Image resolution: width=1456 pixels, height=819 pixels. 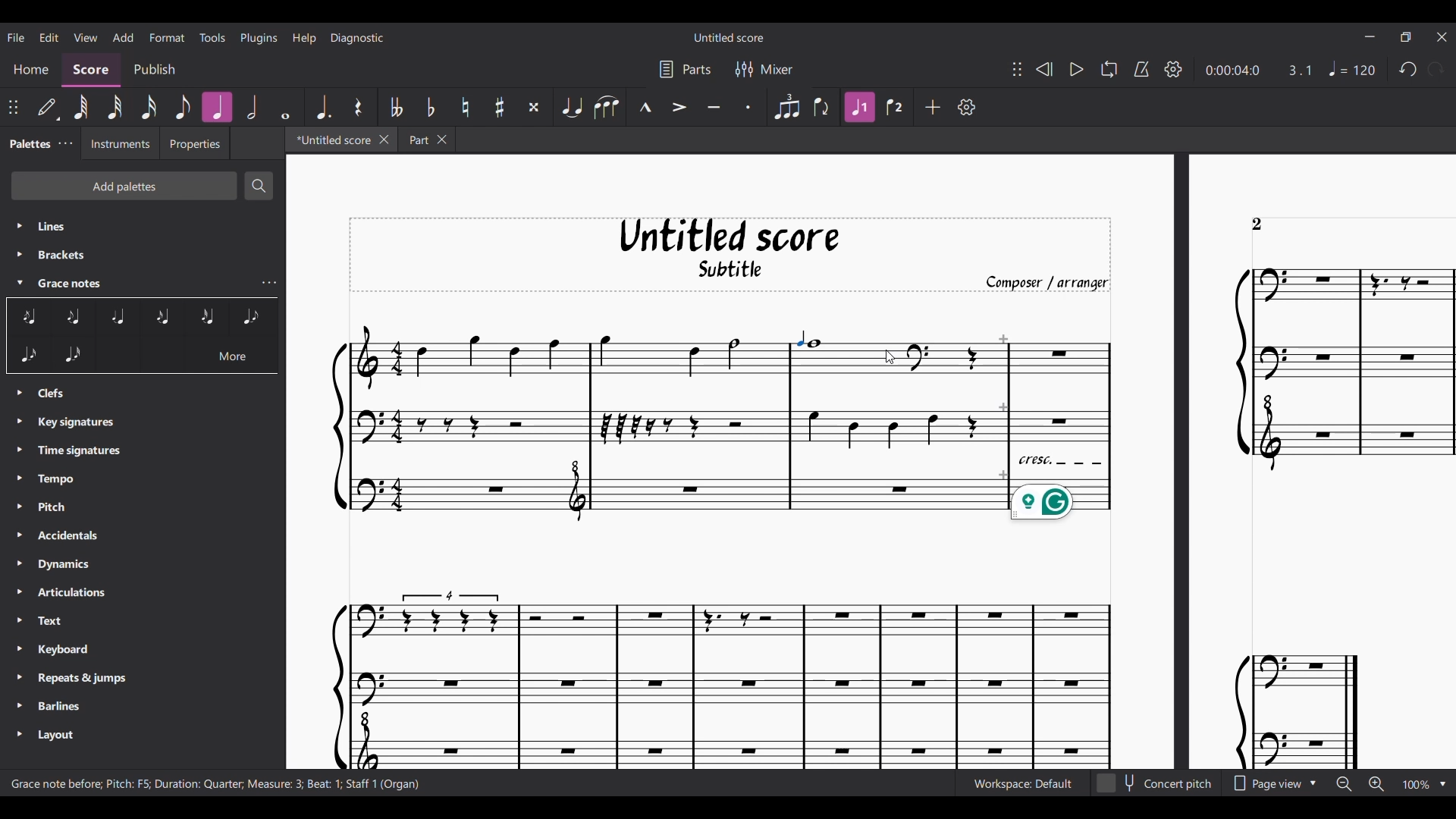 I want to click on Grace notes palette list, so click(x=269, y=283).